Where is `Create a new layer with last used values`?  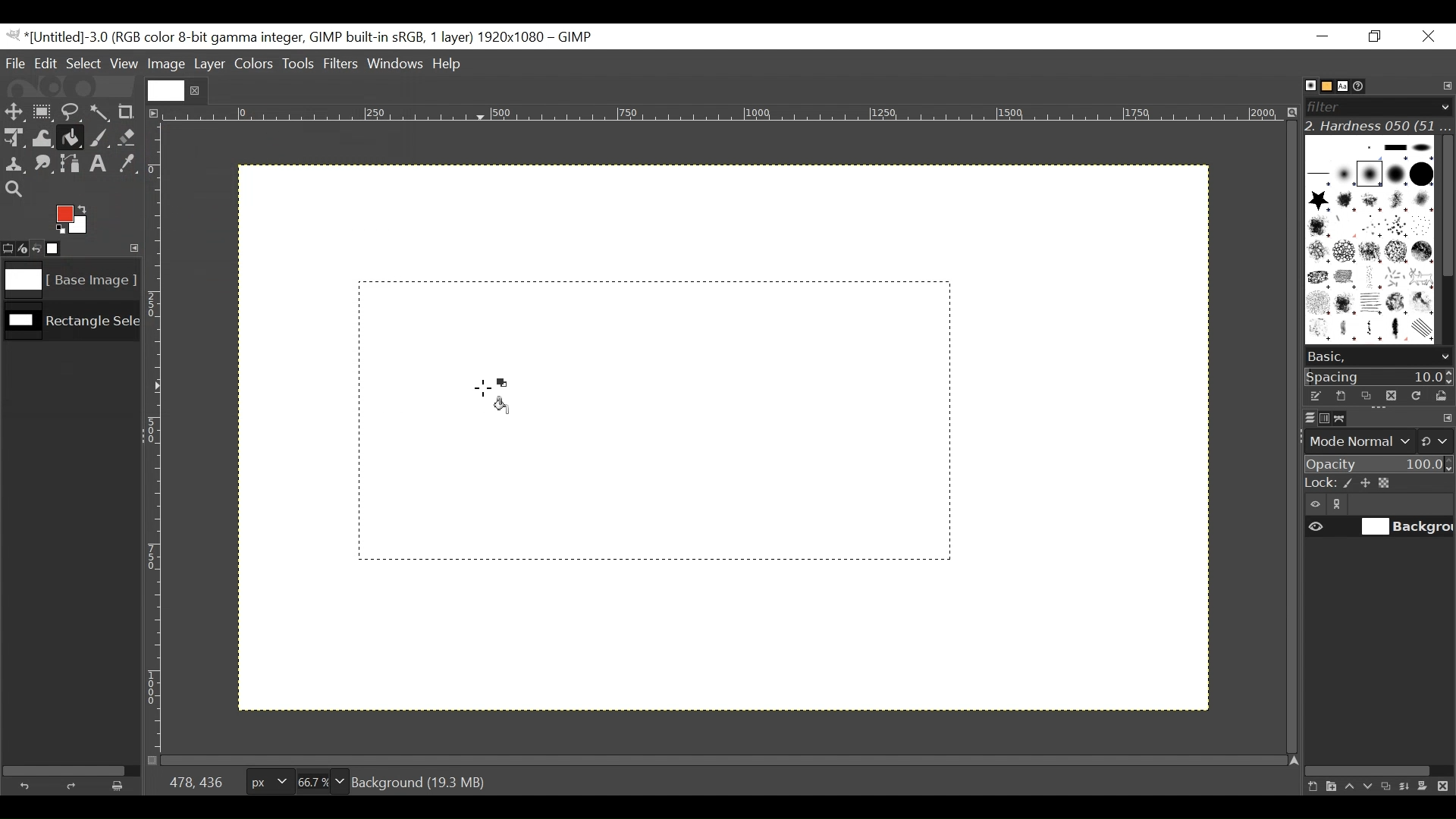
Create a new layer with last used values is located at coordinates (1310, 787).